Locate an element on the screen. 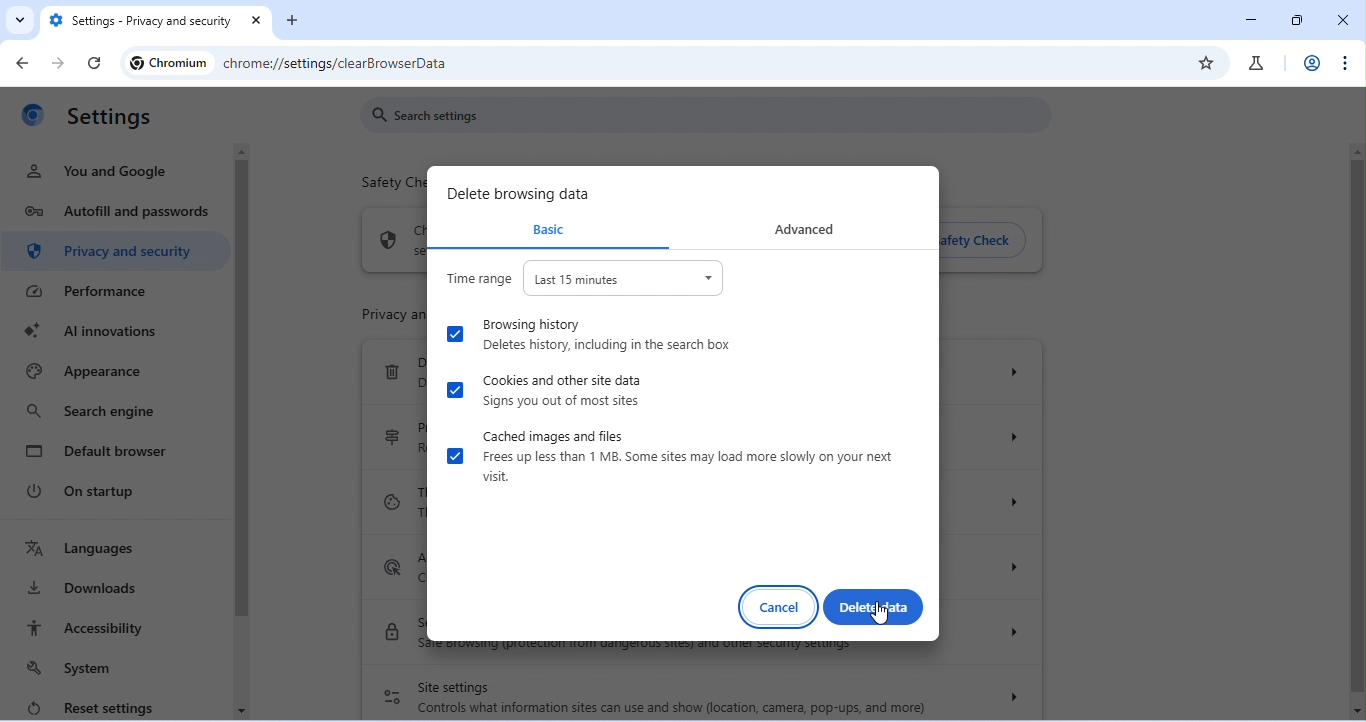 This screenshot has width=1366, height=722. privacy an is located at coordinates (377, 313).